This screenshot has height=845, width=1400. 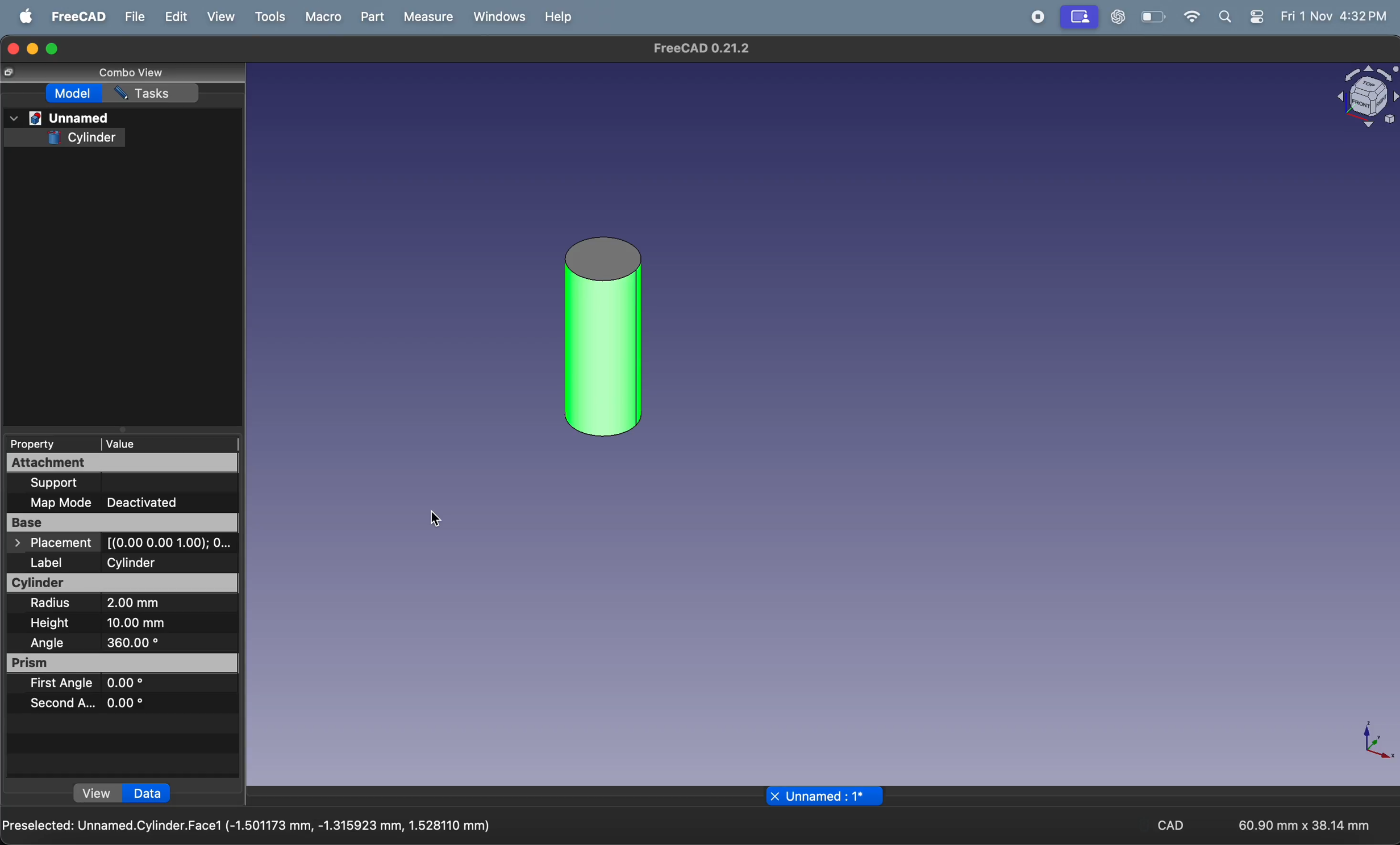 What do you see at coordinates (43, 444) in the screenshot?
I see `property` at bounding box center [43, 444].